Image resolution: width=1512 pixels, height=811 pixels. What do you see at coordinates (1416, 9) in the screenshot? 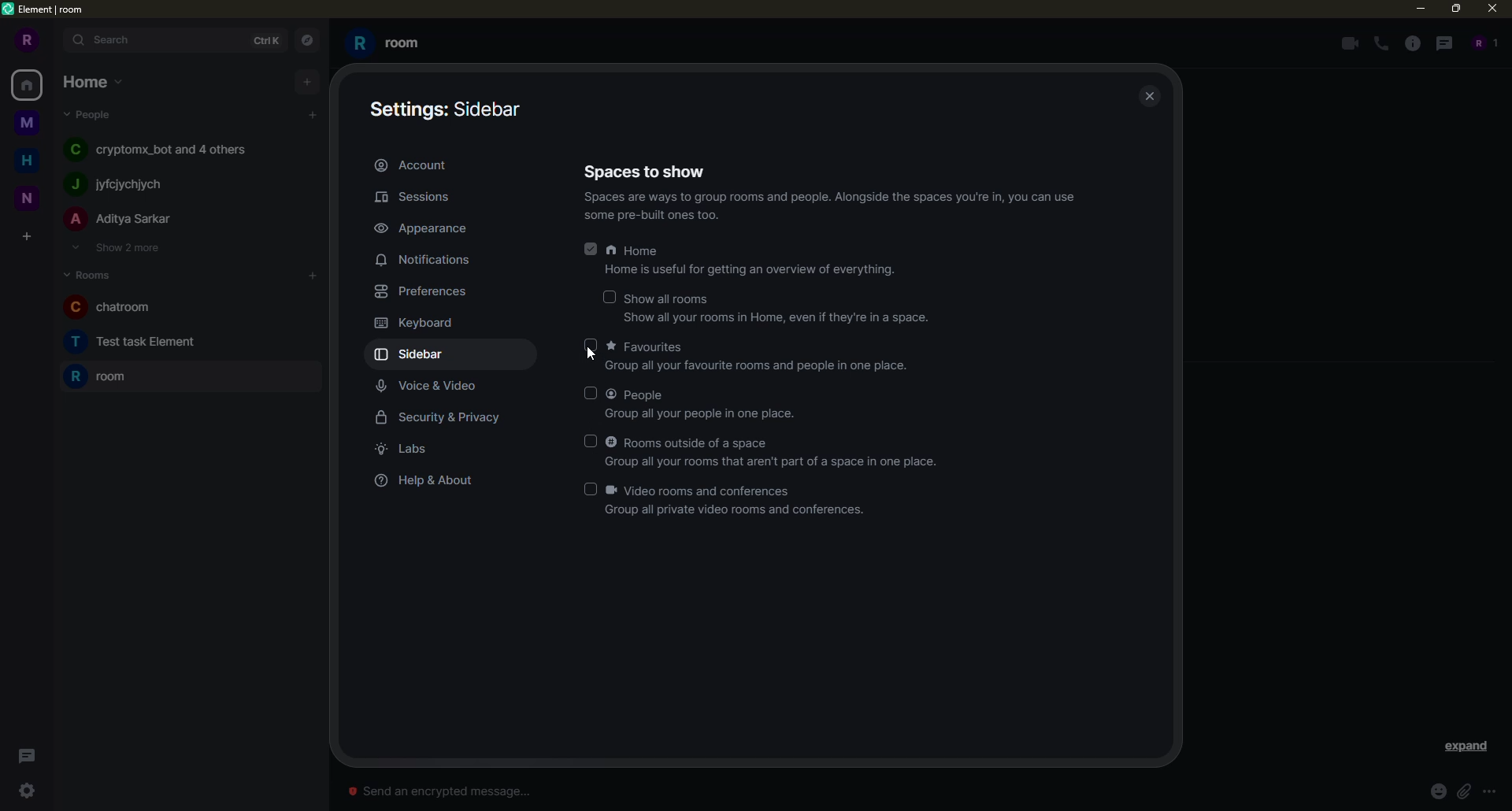
I see `minimize` at bounding box center [1416, 9].